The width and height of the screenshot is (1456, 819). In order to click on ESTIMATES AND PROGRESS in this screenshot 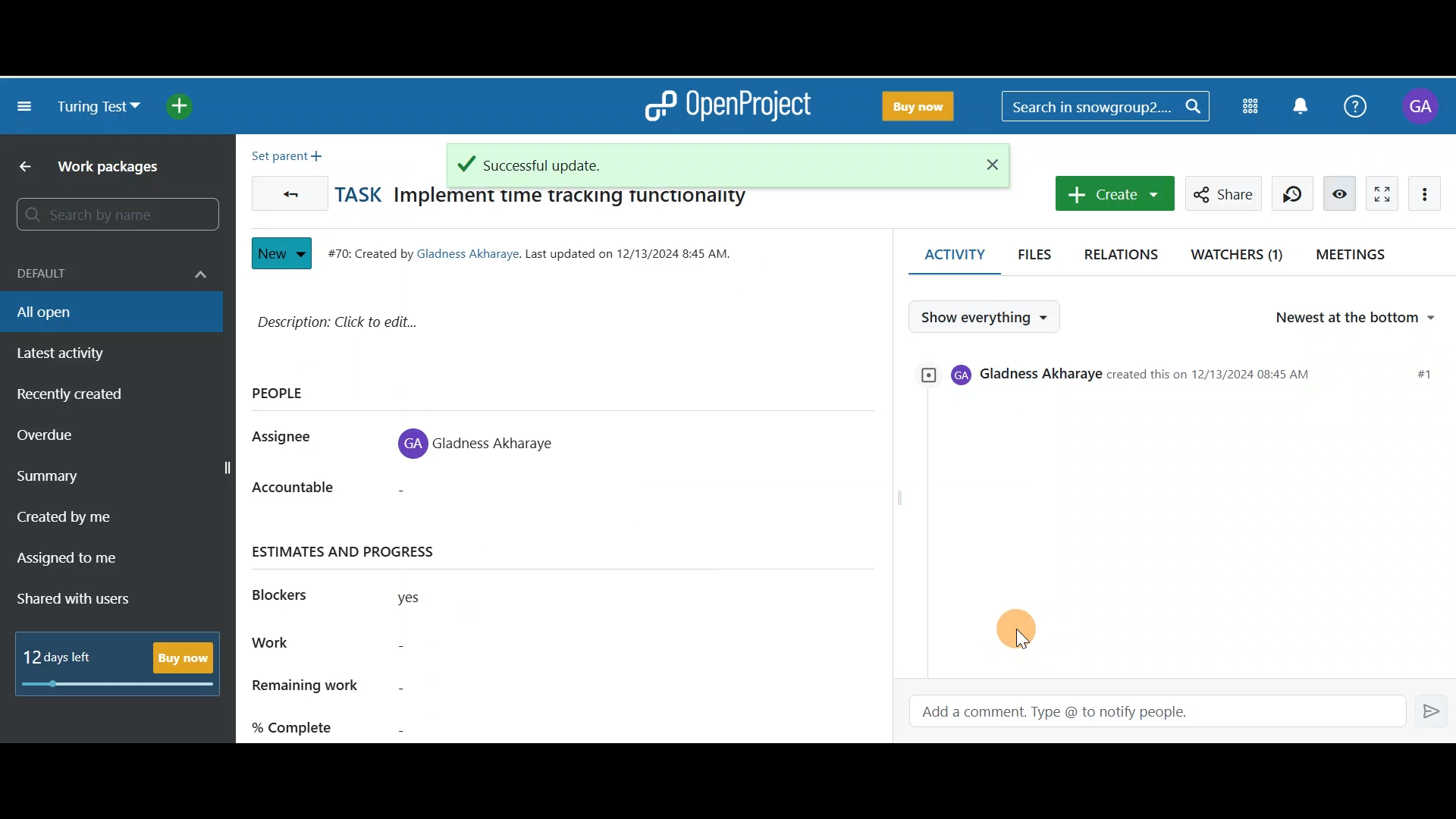, I will do `click(361, 551)`.